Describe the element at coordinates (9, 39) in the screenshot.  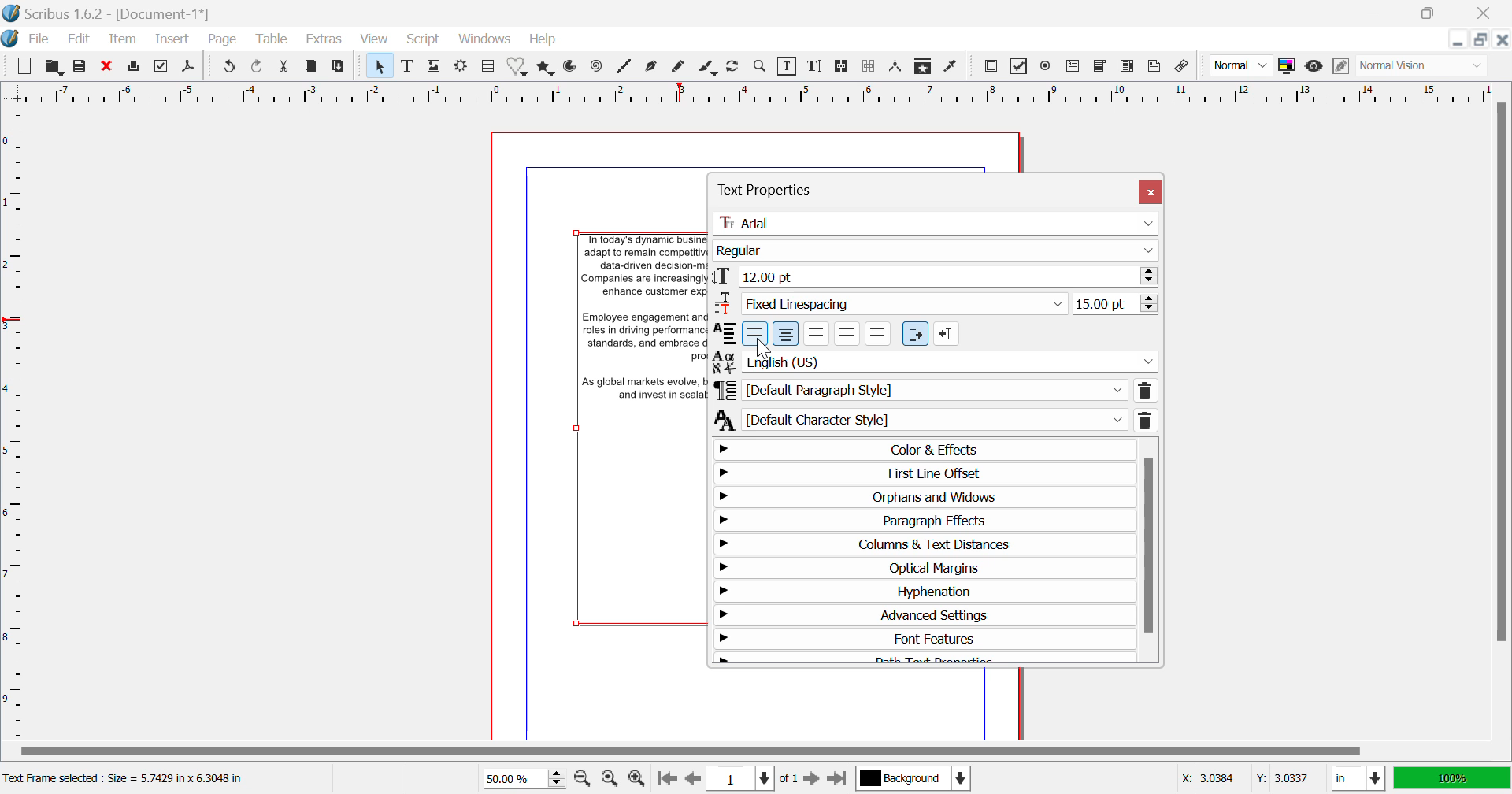
I see `Scribus Logo` at that location.